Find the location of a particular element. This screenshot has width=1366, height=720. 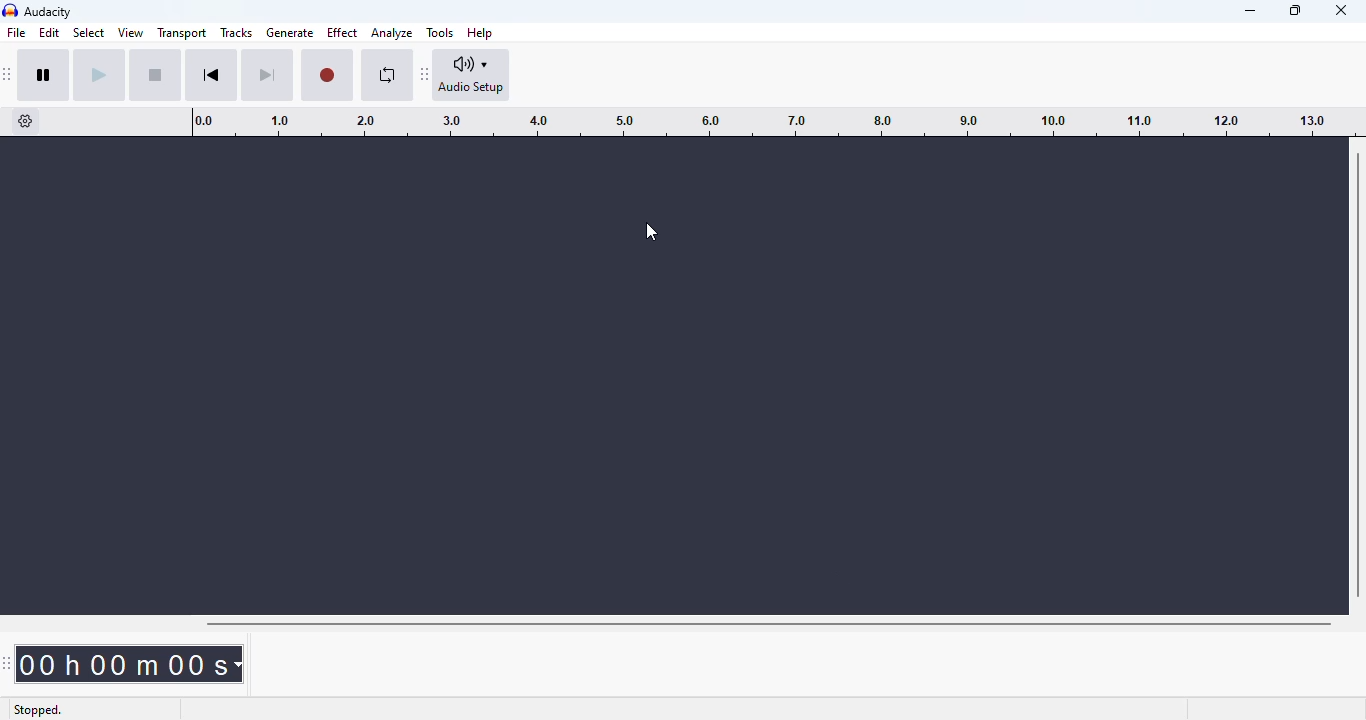

tracks is located at coordinates (236, 33).